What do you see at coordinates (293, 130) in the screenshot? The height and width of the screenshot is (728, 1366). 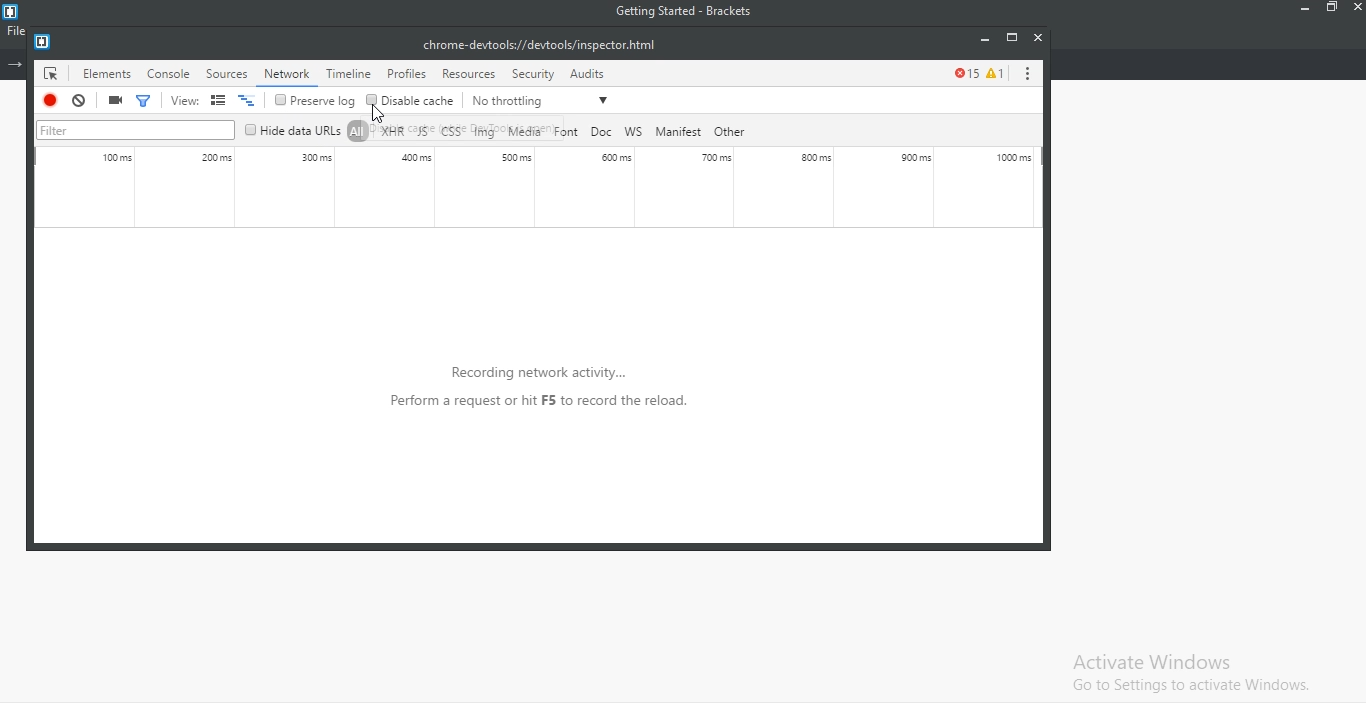 I see `hide data url` at bounding box center [293, 130].